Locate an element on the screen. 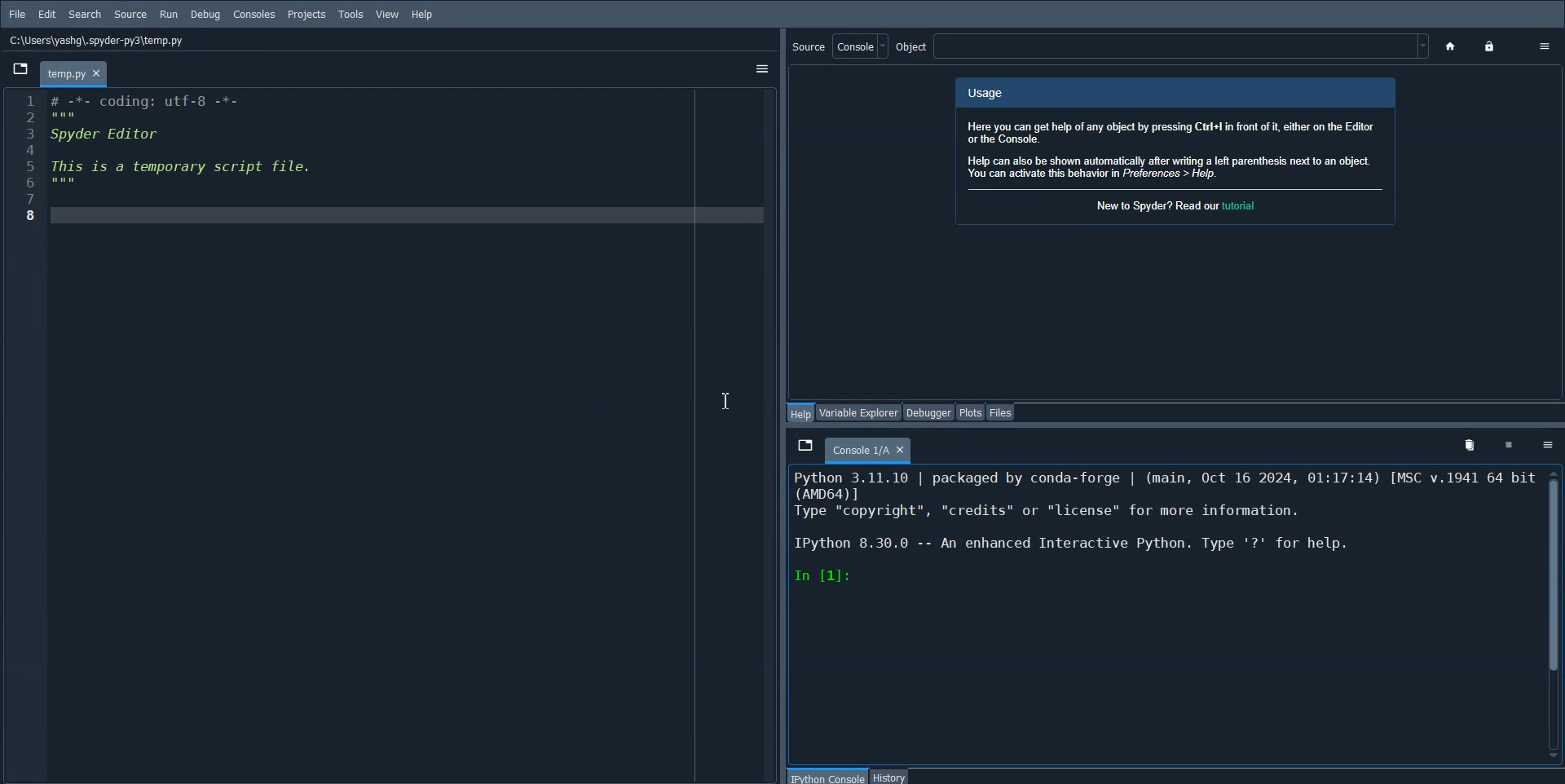 The height and width of the screenshot is (784, 1565). Plots is located at coordinates (971, 412).